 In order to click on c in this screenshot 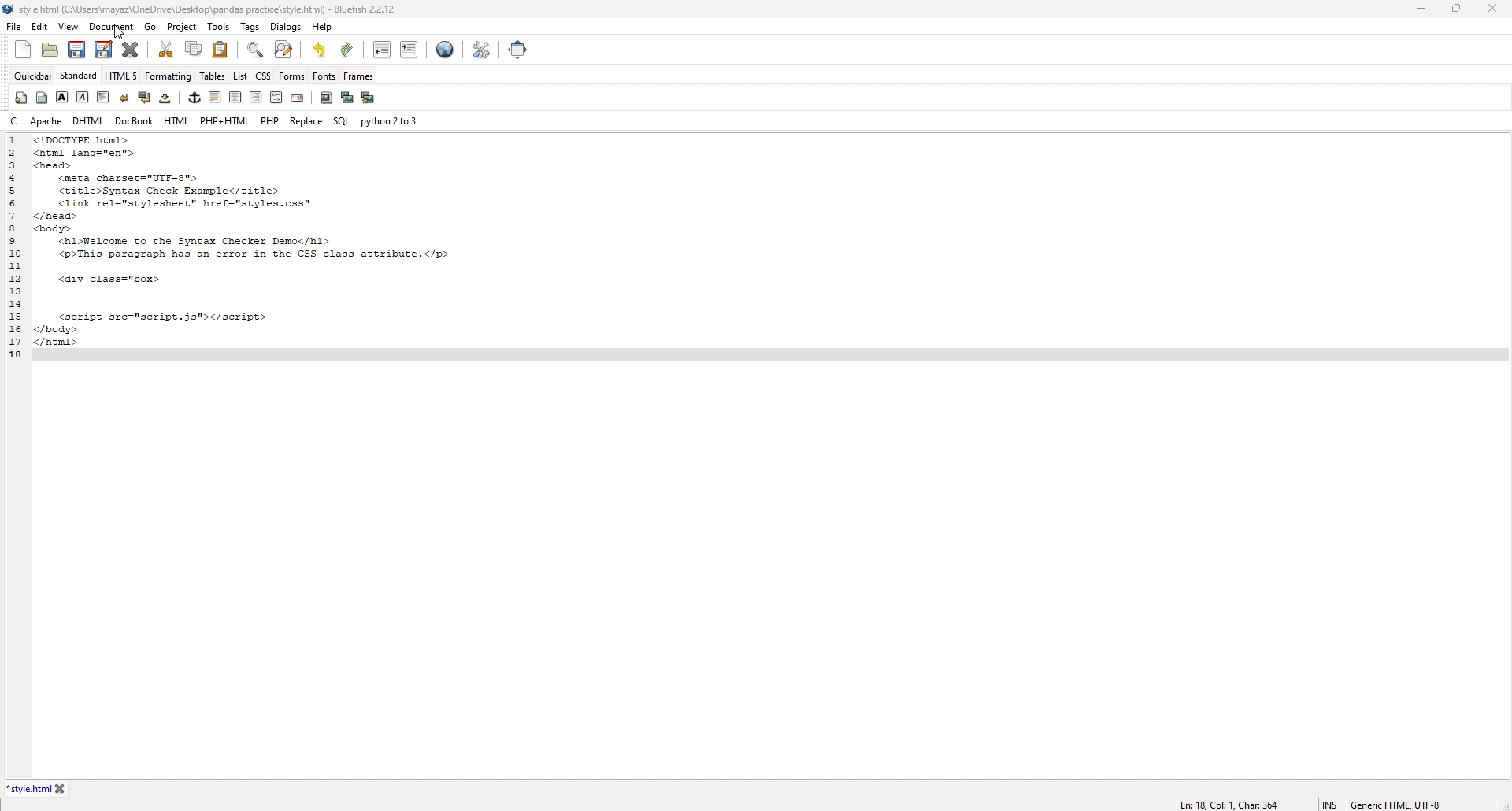, I will do `click(15, 120)`.